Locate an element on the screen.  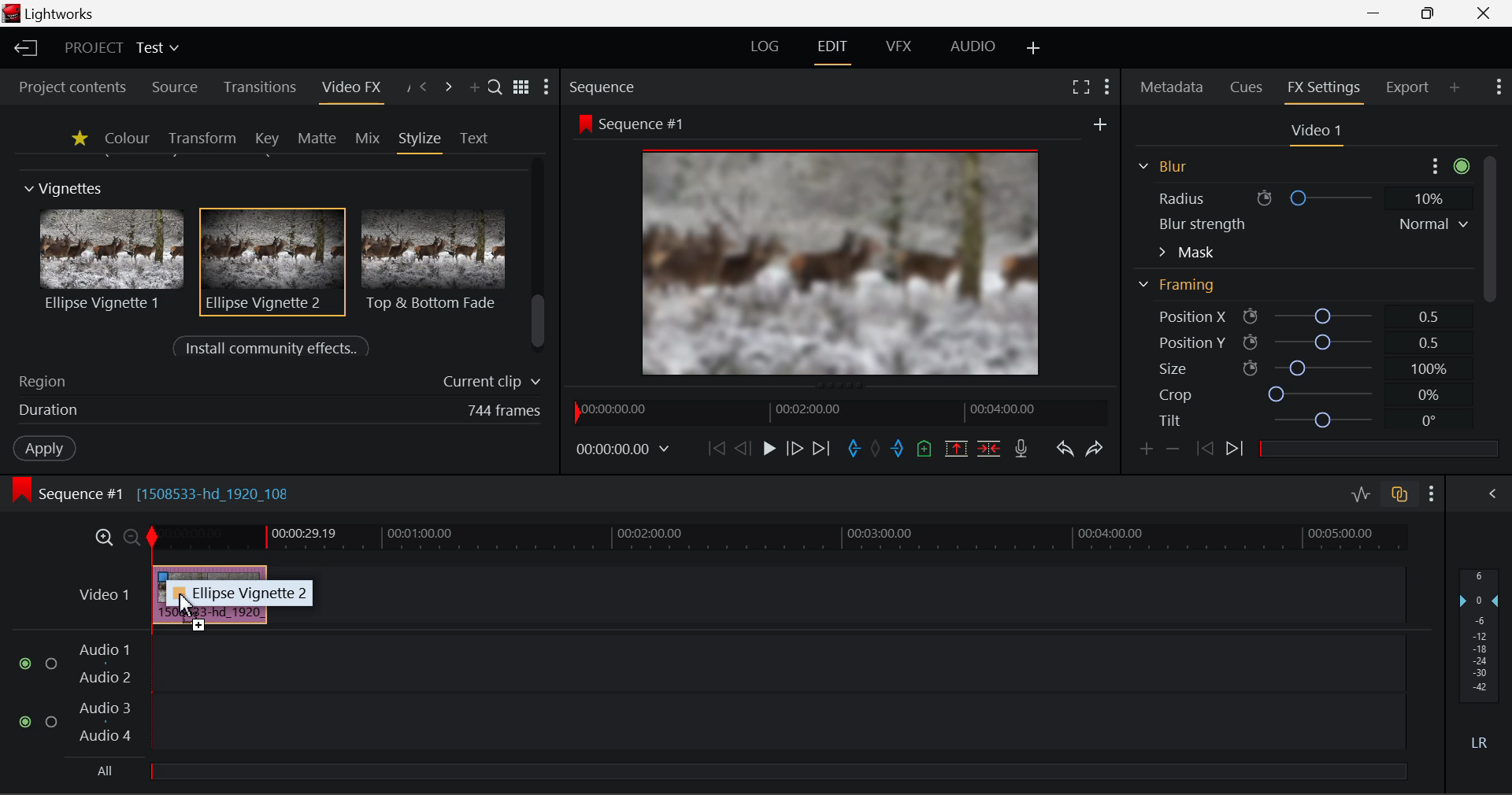
Colour is located at coordinates (126, 138).